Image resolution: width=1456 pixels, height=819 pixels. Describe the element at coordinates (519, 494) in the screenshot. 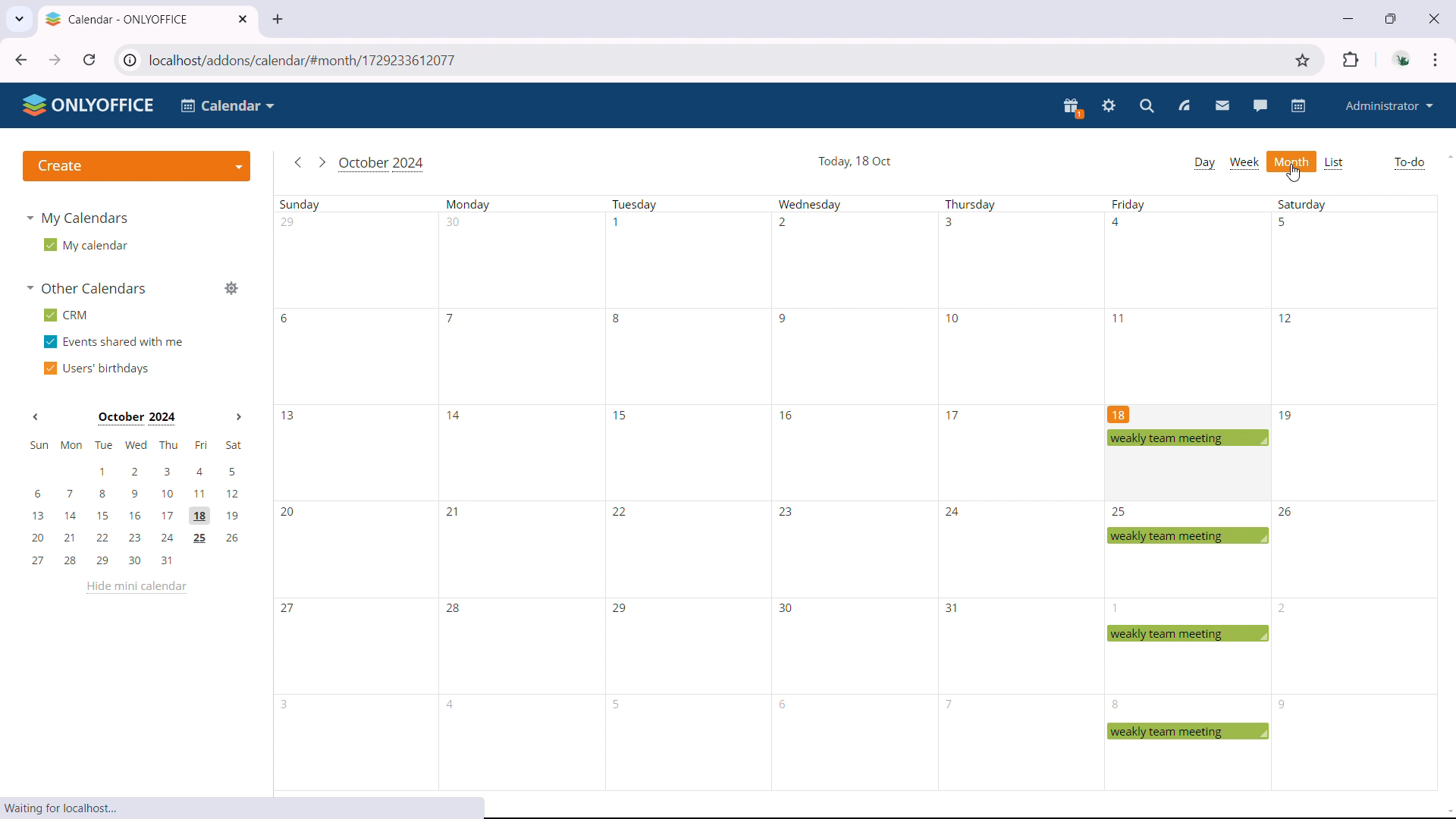

I see `monday` at that location.